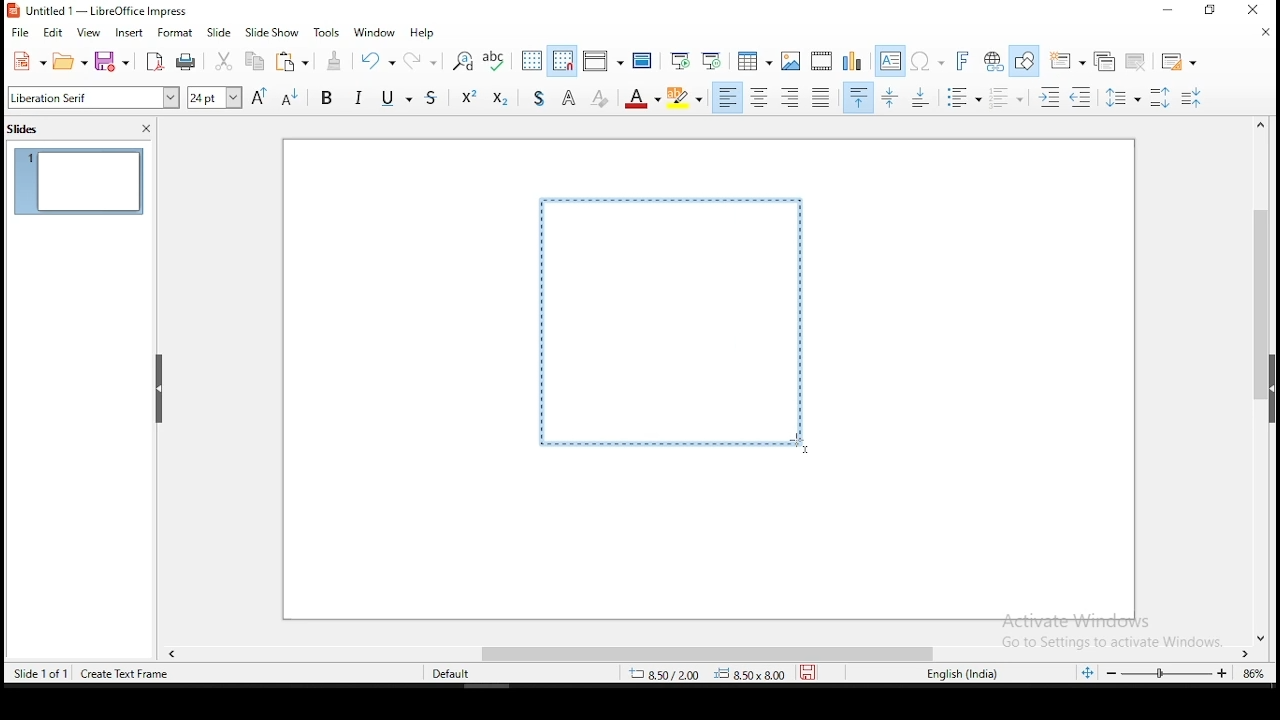  Describe the element at coordinates (376, 60) in the screenshot. I see `undo` at that location.